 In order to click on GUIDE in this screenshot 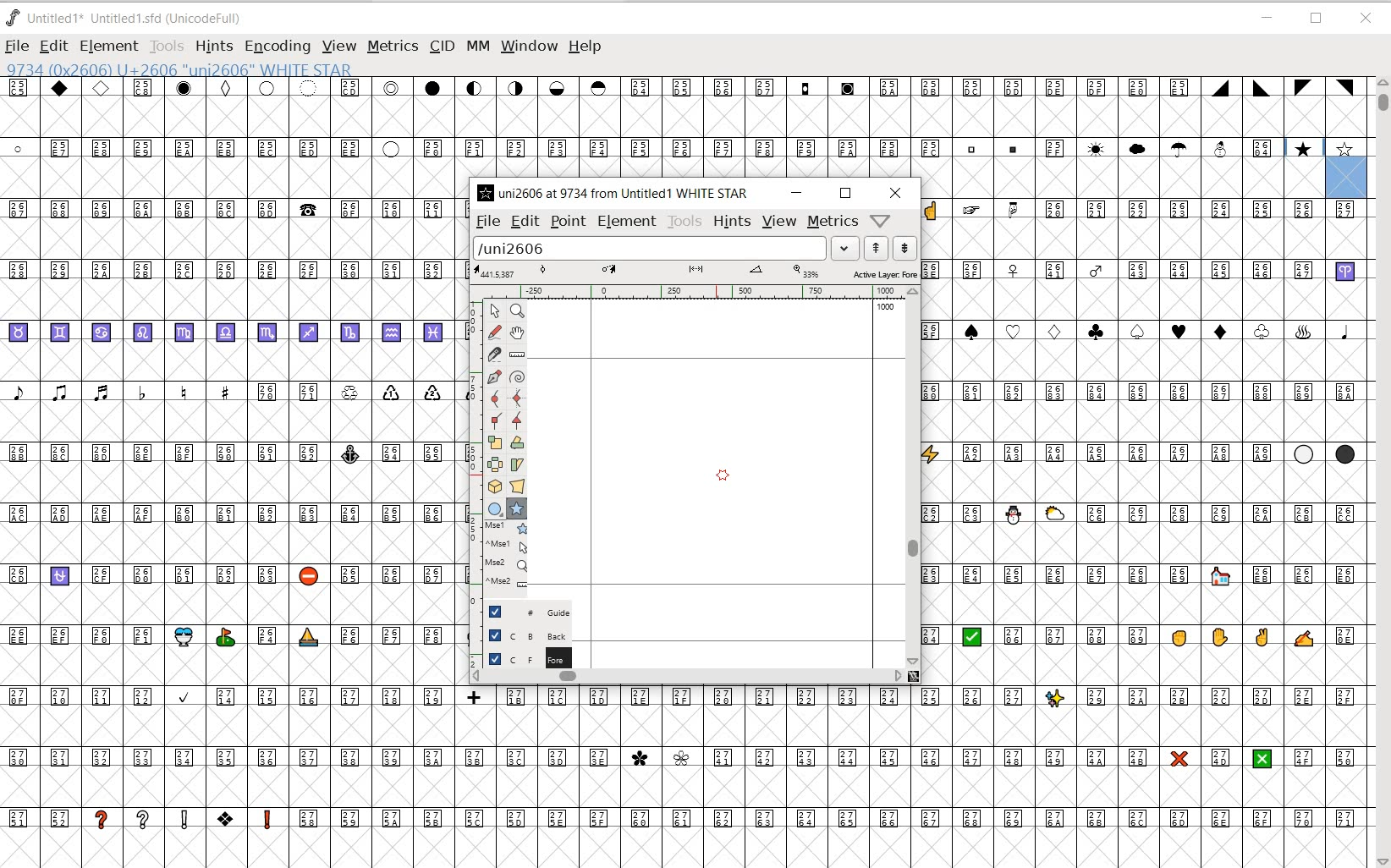, I will do `click(520, 612)`.